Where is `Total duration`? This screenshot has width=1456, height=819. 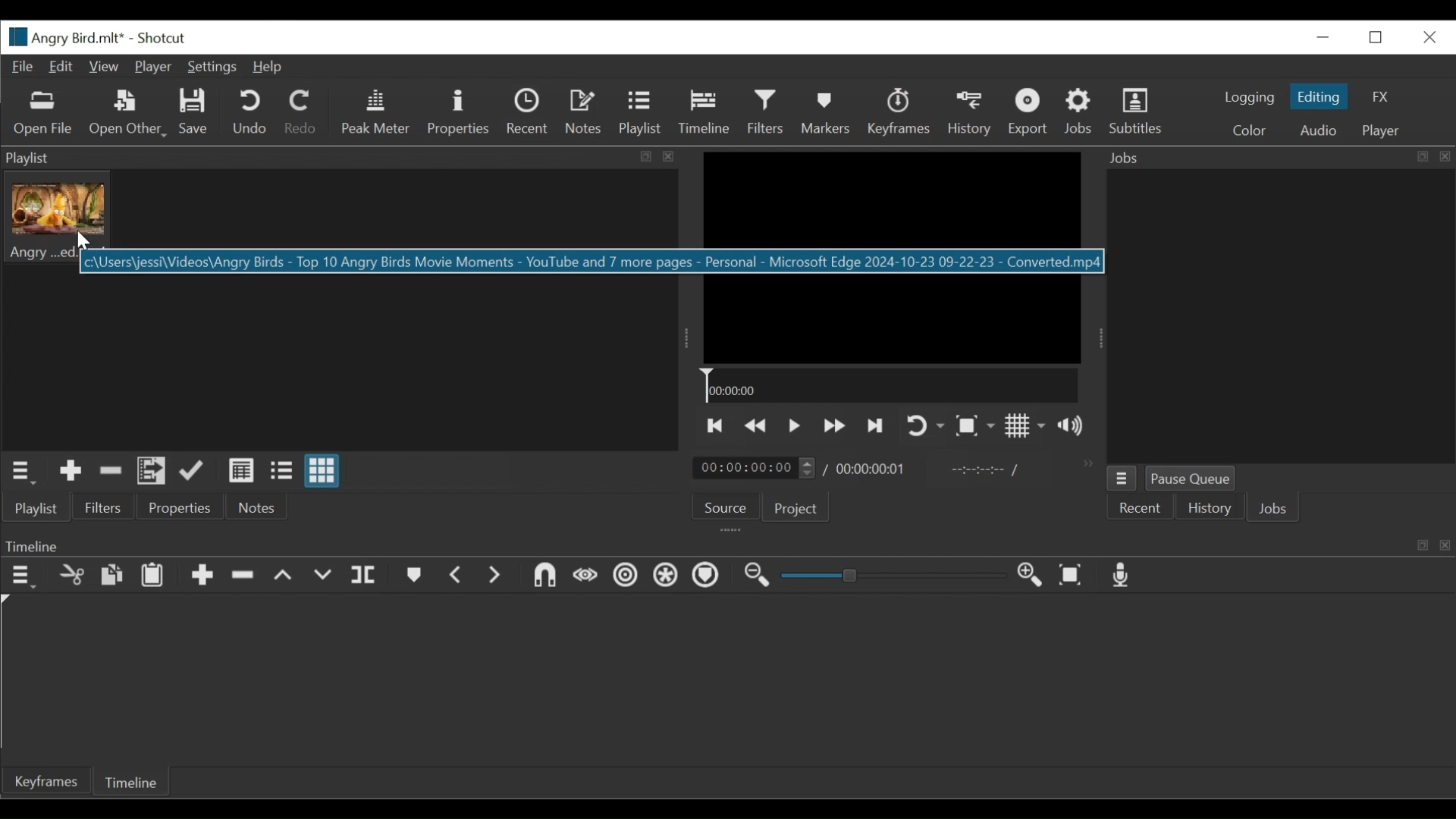 Total duration is located at coordinates (870, 471).